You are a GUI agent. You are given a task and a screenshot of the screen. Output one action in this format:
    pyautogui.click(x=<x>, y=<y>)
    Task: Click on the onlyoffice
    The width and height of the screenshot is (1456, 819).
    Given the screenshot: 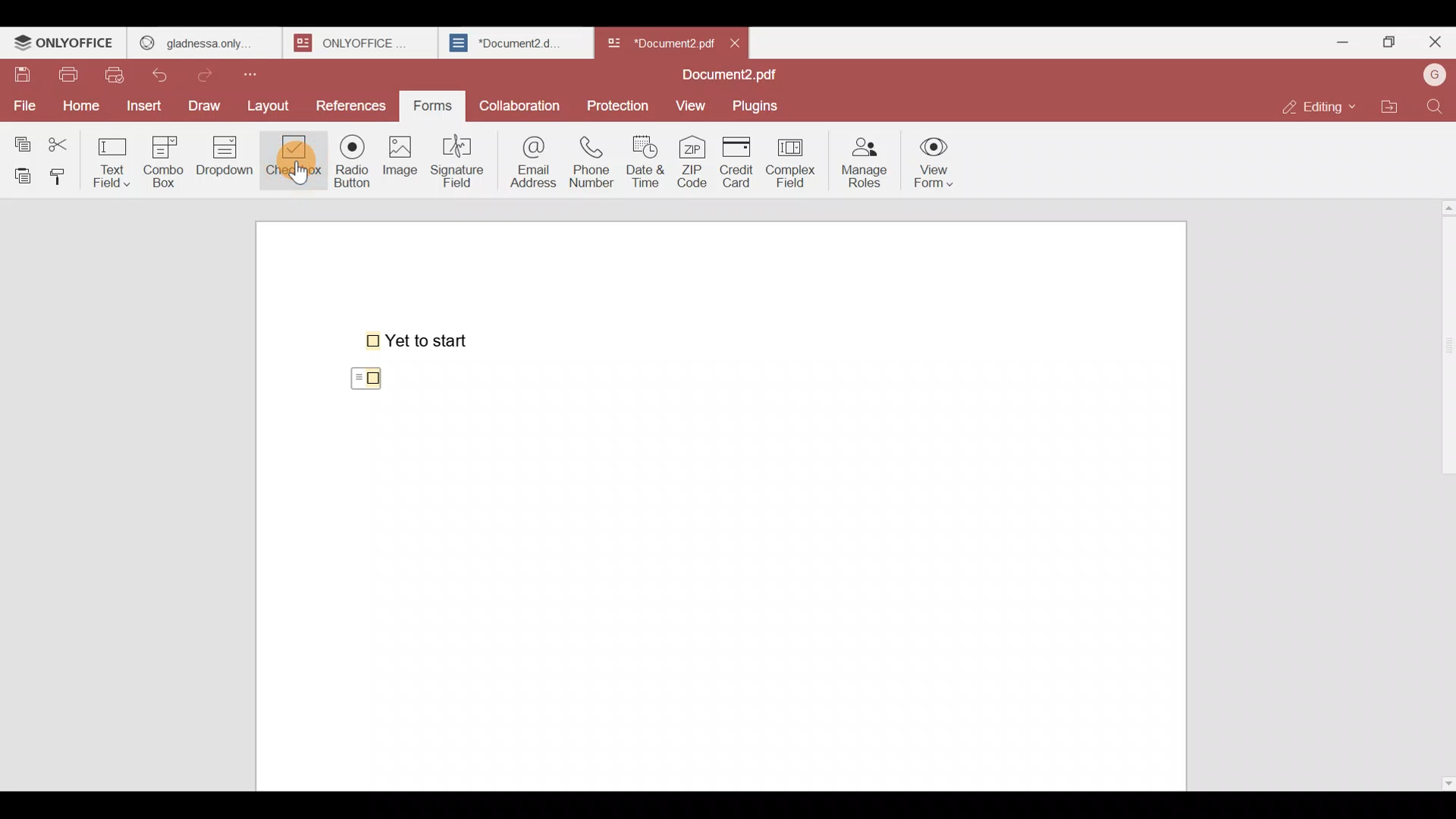 What is the action you would take?
    pyautogui.click(x=355, y=42)
    